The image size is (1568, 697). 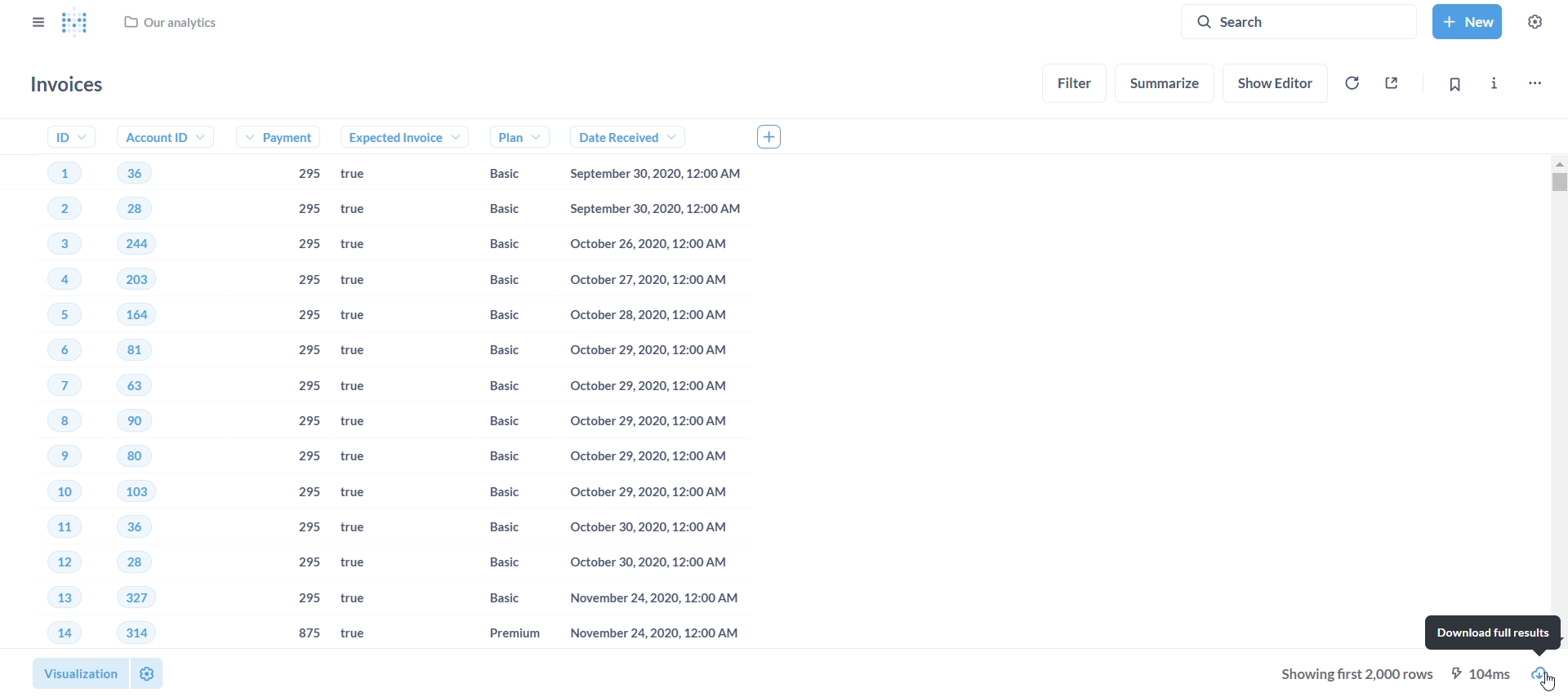 What do you see at coordinates (363, 388) in the screenshot?
I see `true` at bounding box center [363, 388].